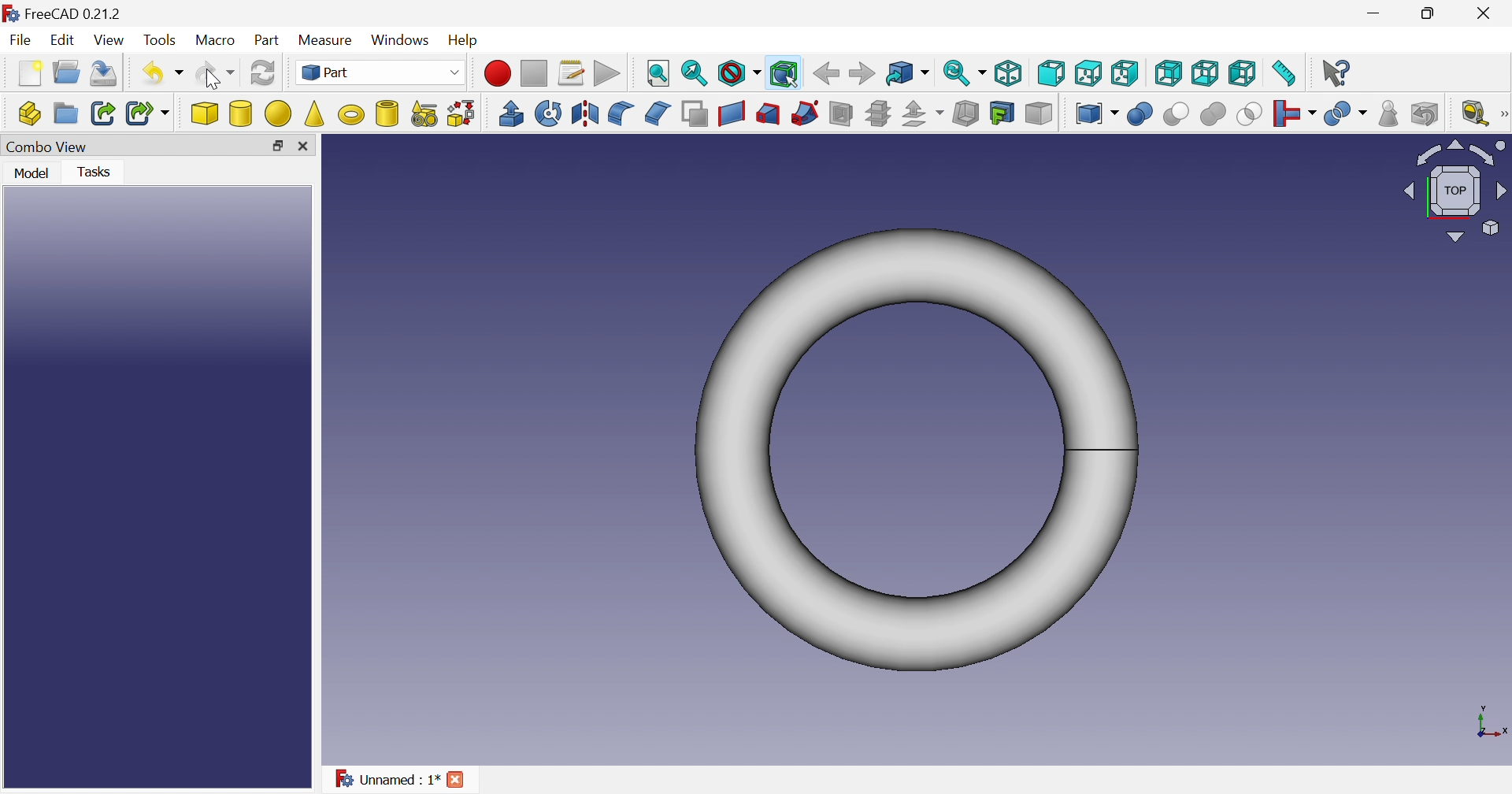 This screenshot has width=1512, height=794. What do you see at coordinates (1140, 117) in the screenshot?
I see `Boolean` at bounding box center [1140, 117].